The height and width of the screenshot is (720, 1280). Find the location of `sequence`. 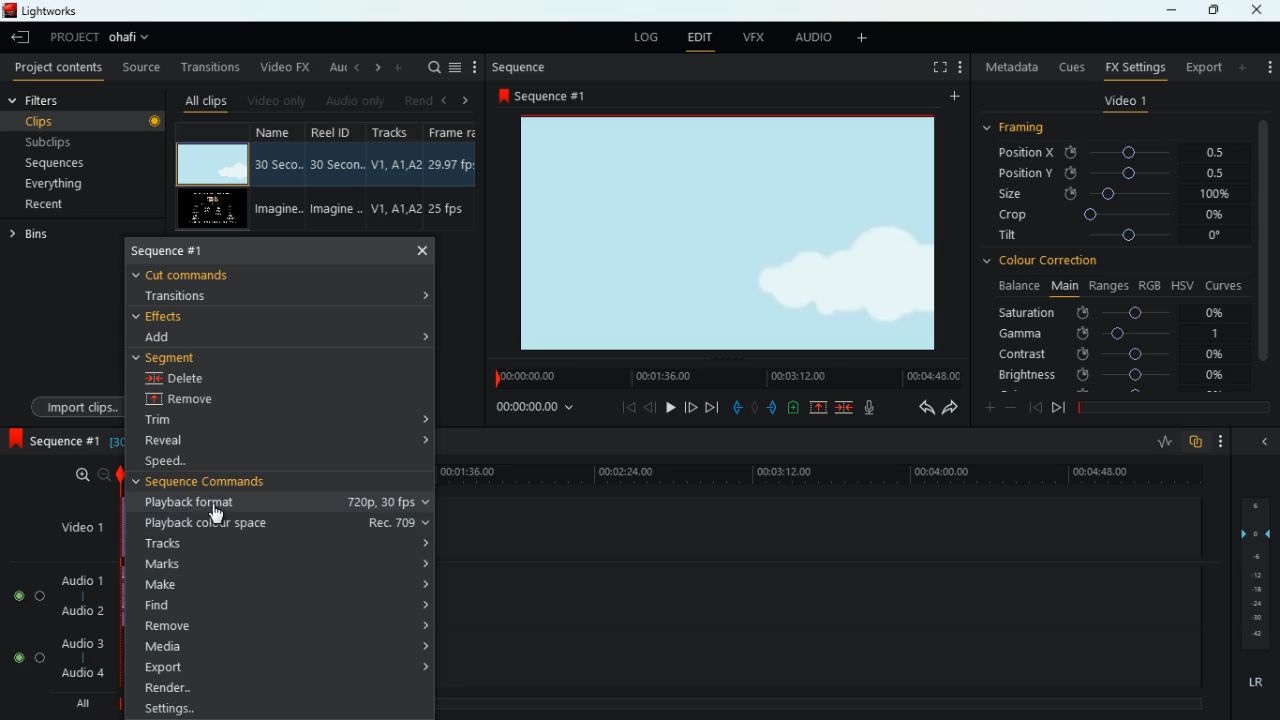

sequence is located at coordinates (521, 67).